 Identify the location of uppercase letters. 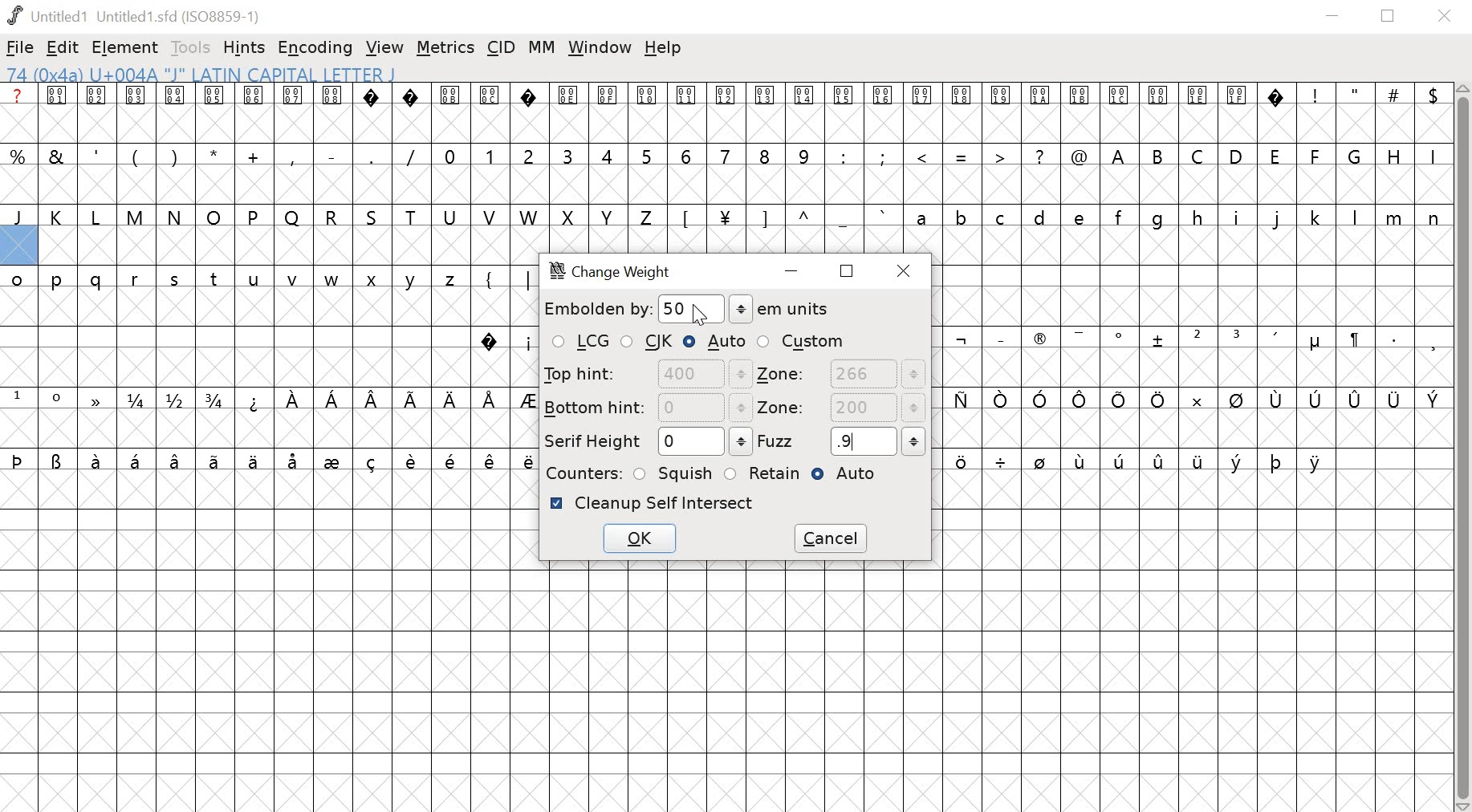
(1275, 155).